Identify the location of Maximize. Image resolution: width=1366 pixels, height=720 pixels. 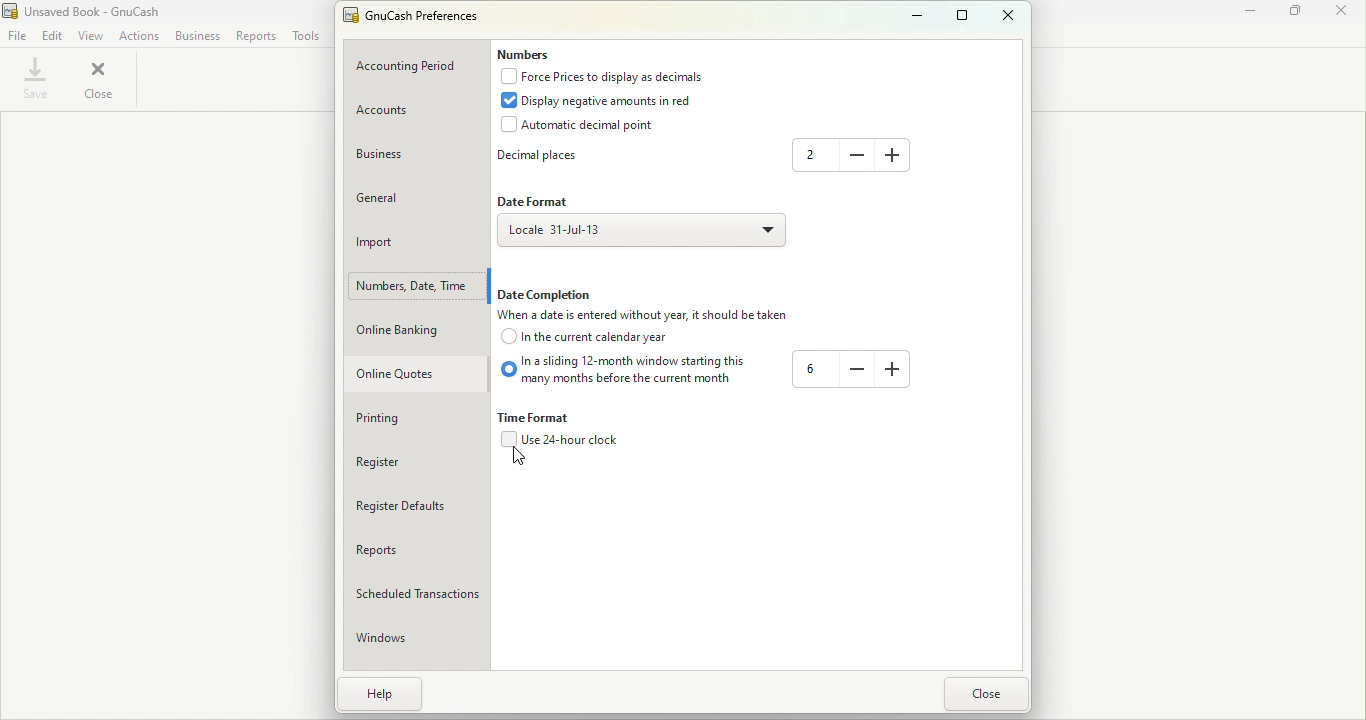
(964, 17).